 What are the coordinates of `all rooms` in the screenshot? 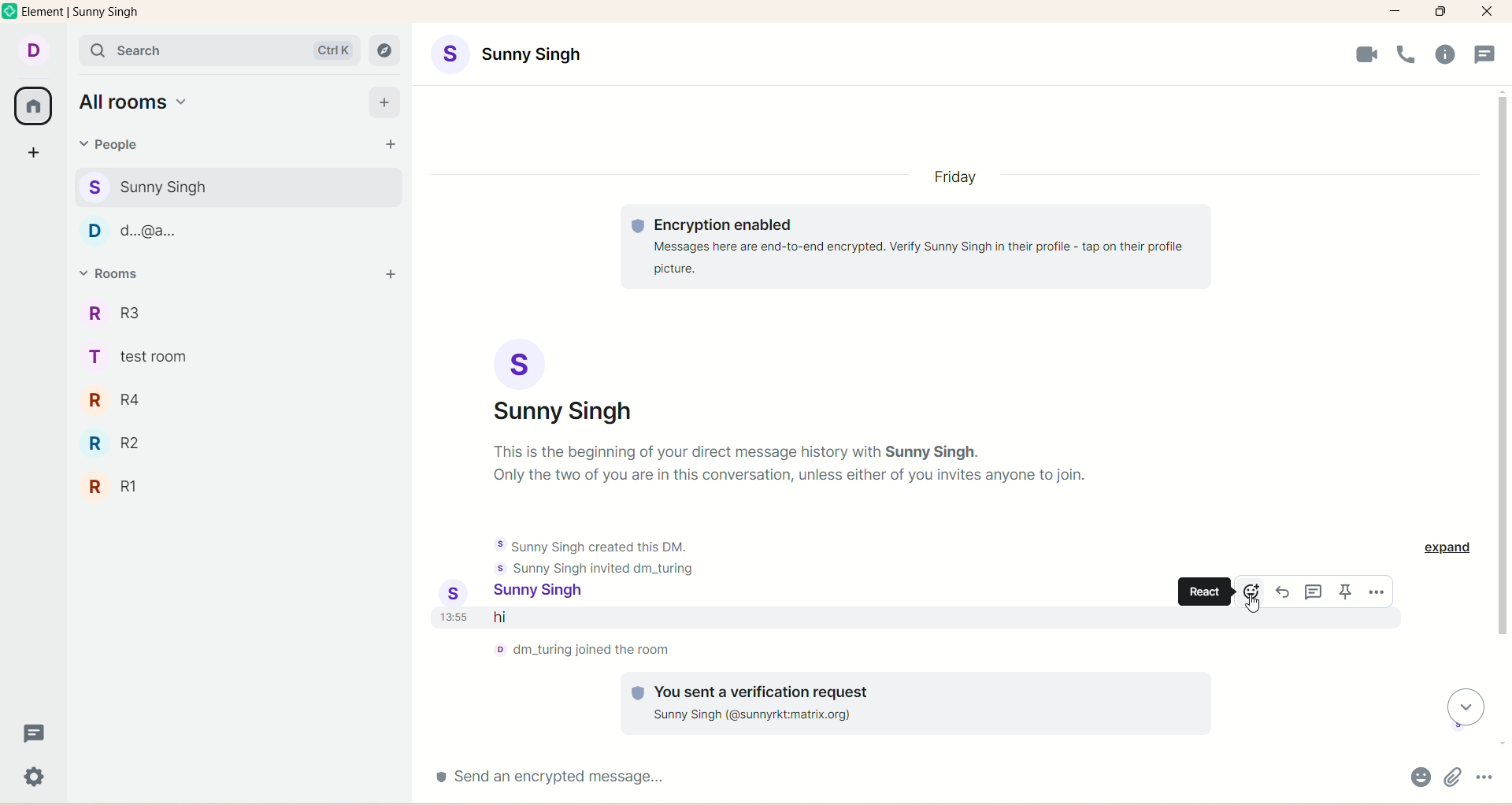 It's located at (136, 101).